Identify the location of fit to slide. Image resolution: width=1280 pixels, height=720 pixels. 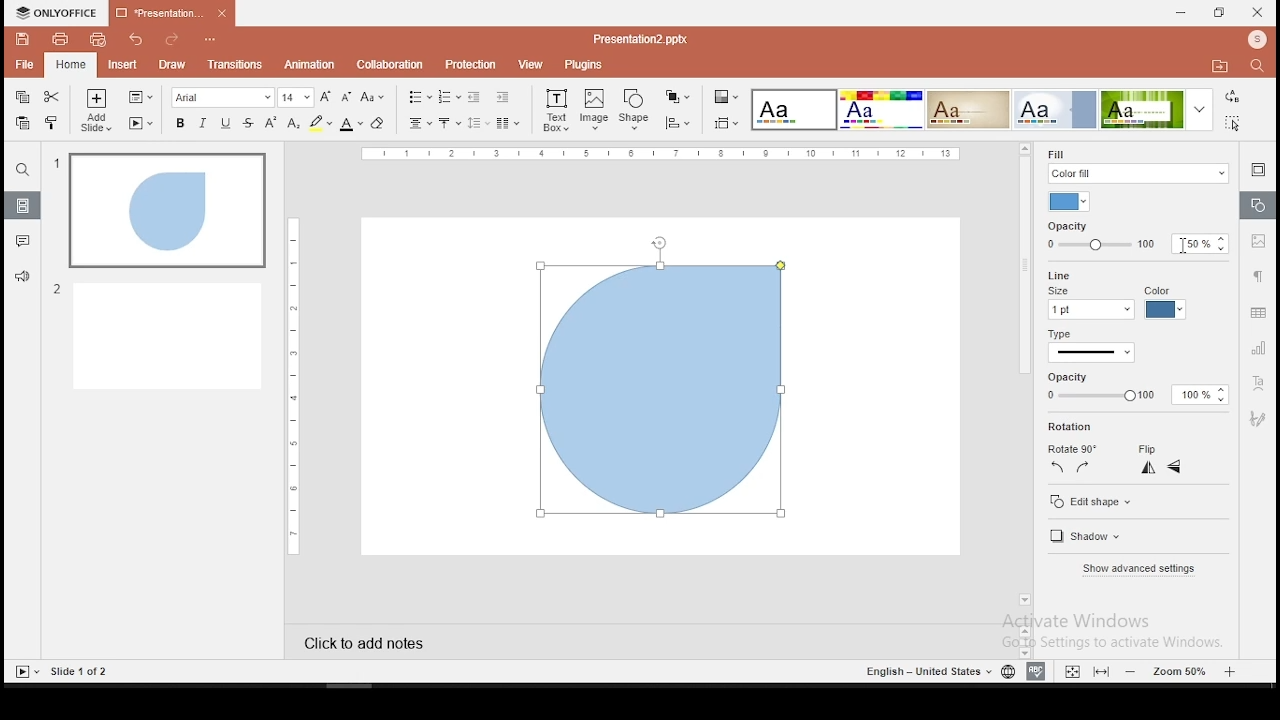
(1101, 672).